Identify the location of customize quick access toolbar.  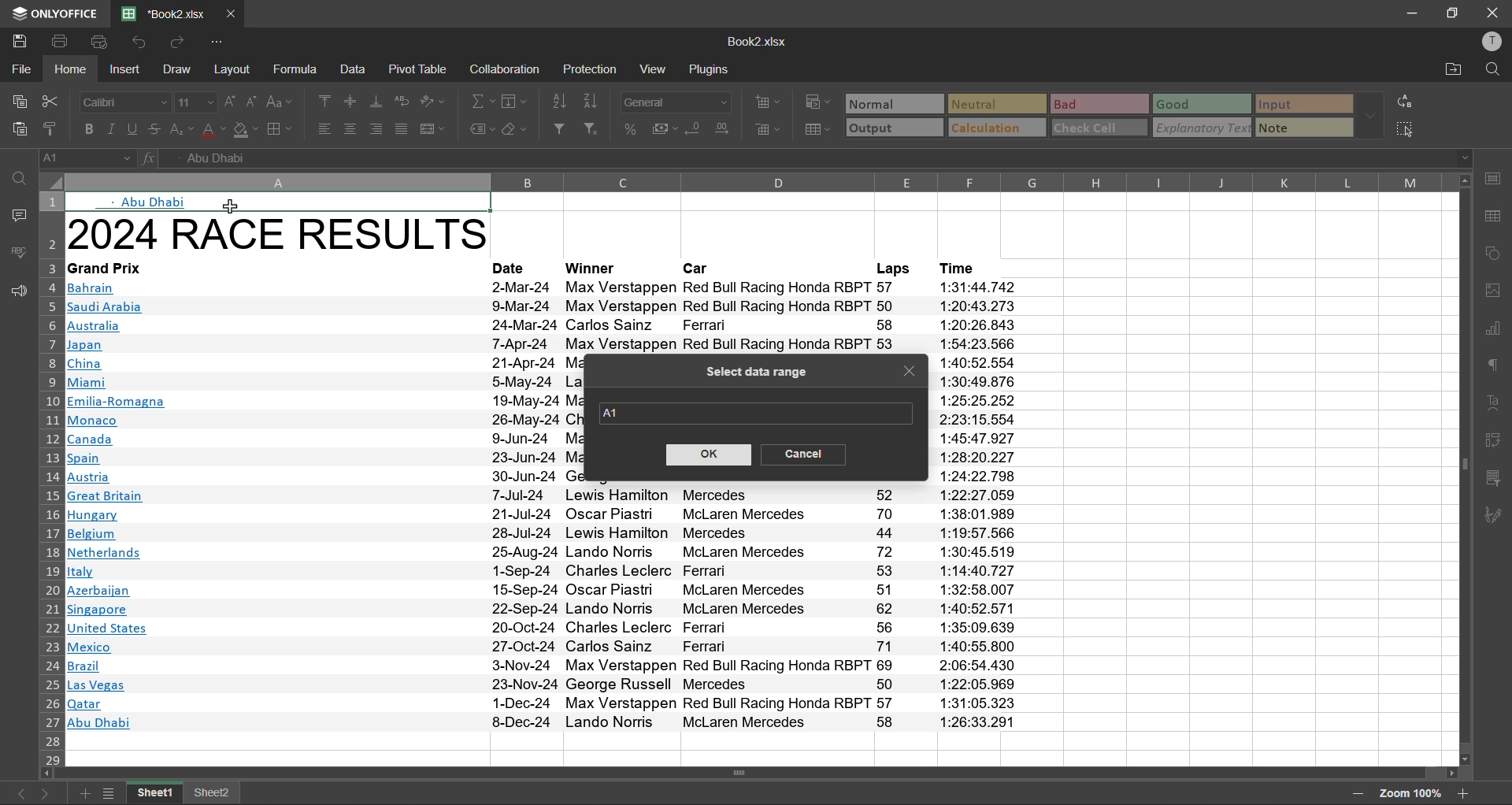
(215, 44).